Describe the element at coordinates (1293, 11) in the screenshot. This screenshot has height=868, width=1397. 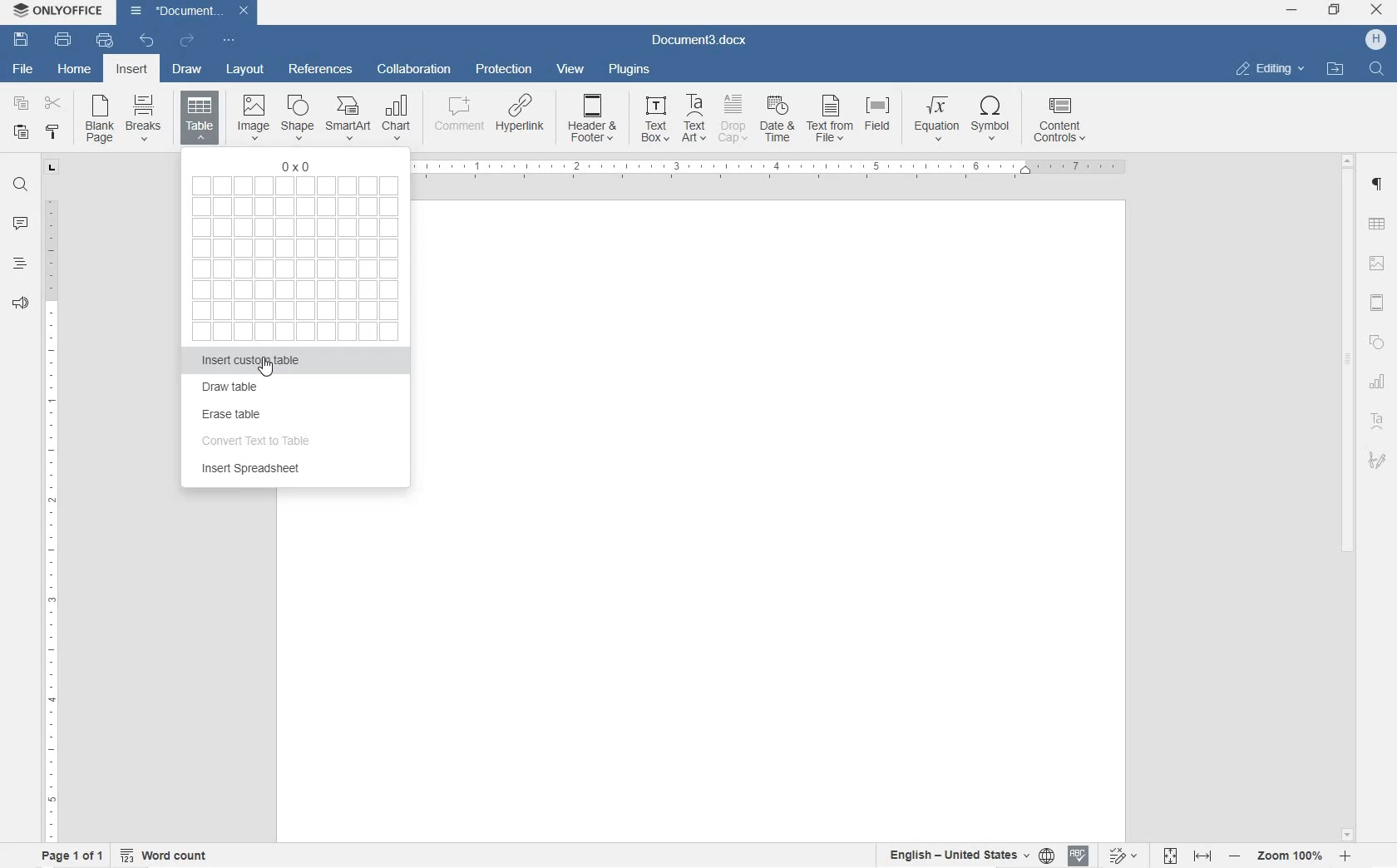
I see `MINIMIZE` at that location.